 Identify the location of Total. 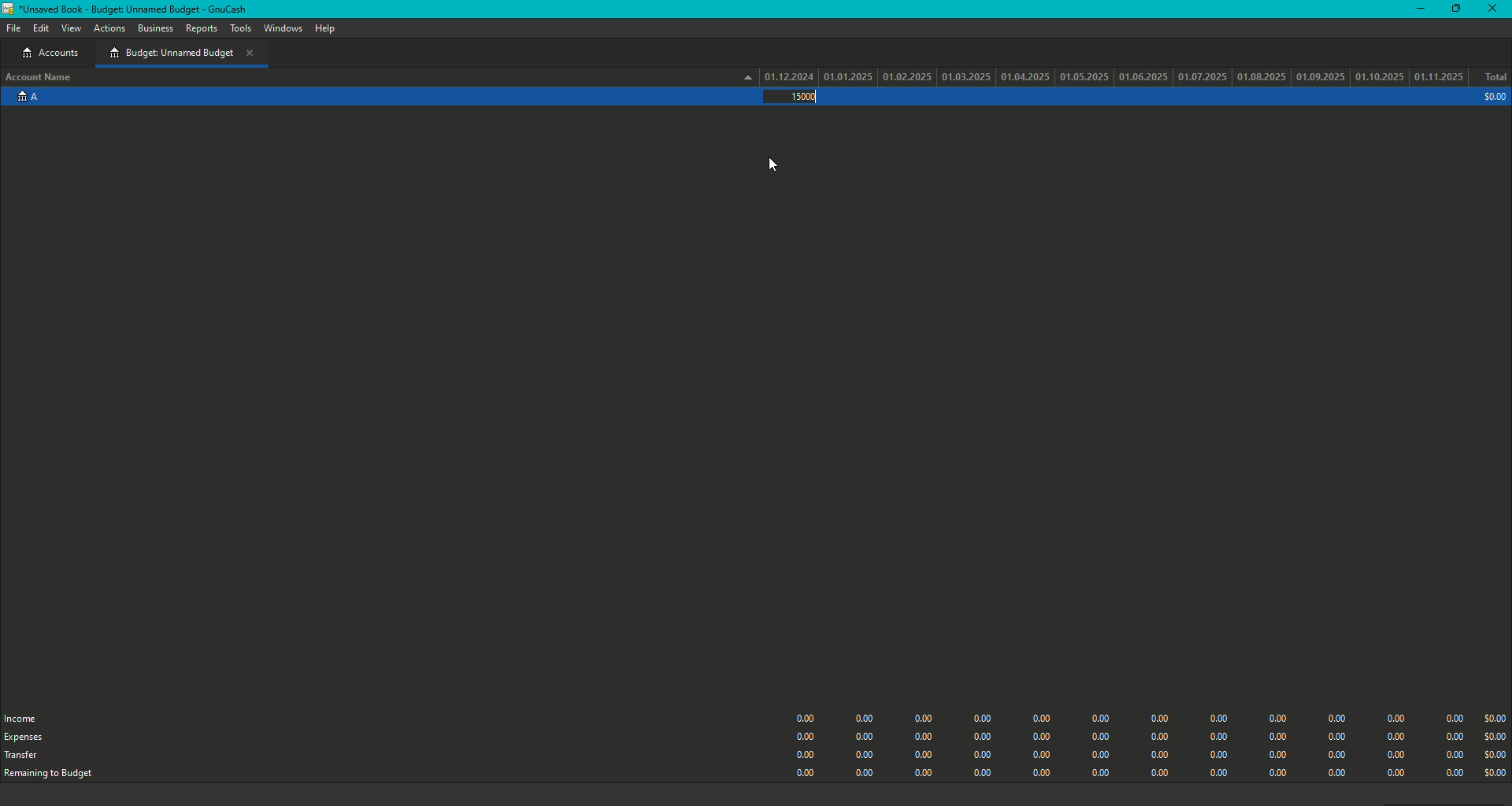
(1495, 78).